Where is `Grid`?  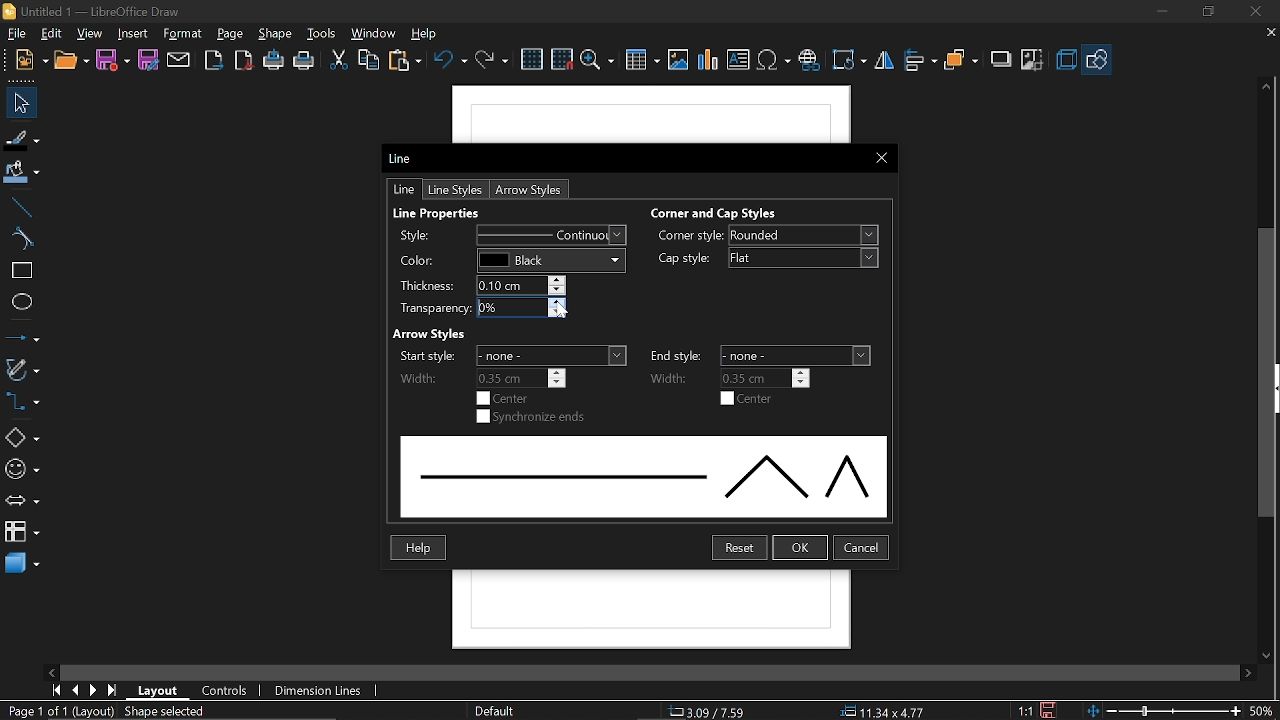
Grid is located at coordinates (533, 59).